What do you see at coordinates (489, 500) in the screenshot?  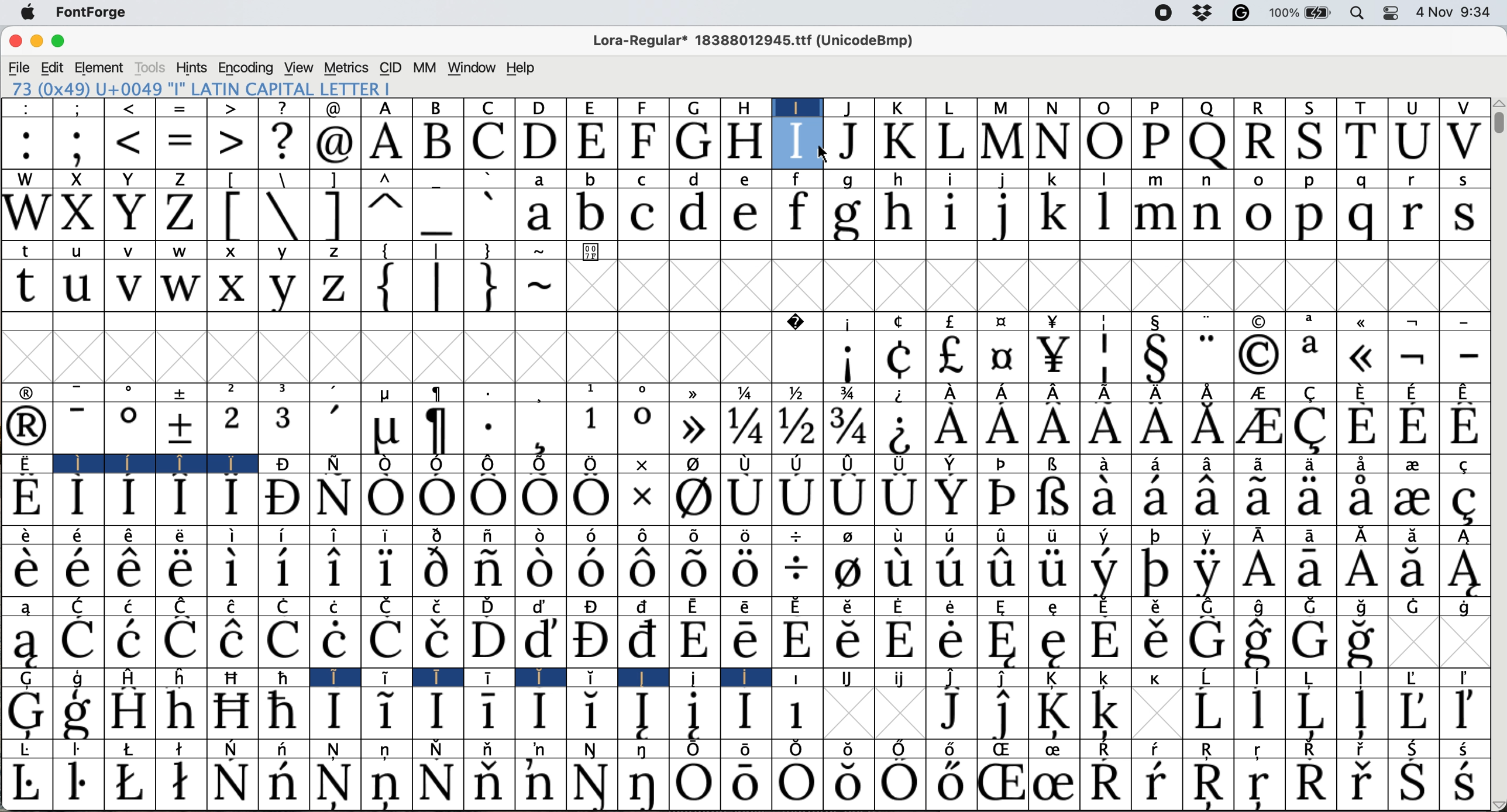 I see `Symbol` at bounding box center [489, 500].